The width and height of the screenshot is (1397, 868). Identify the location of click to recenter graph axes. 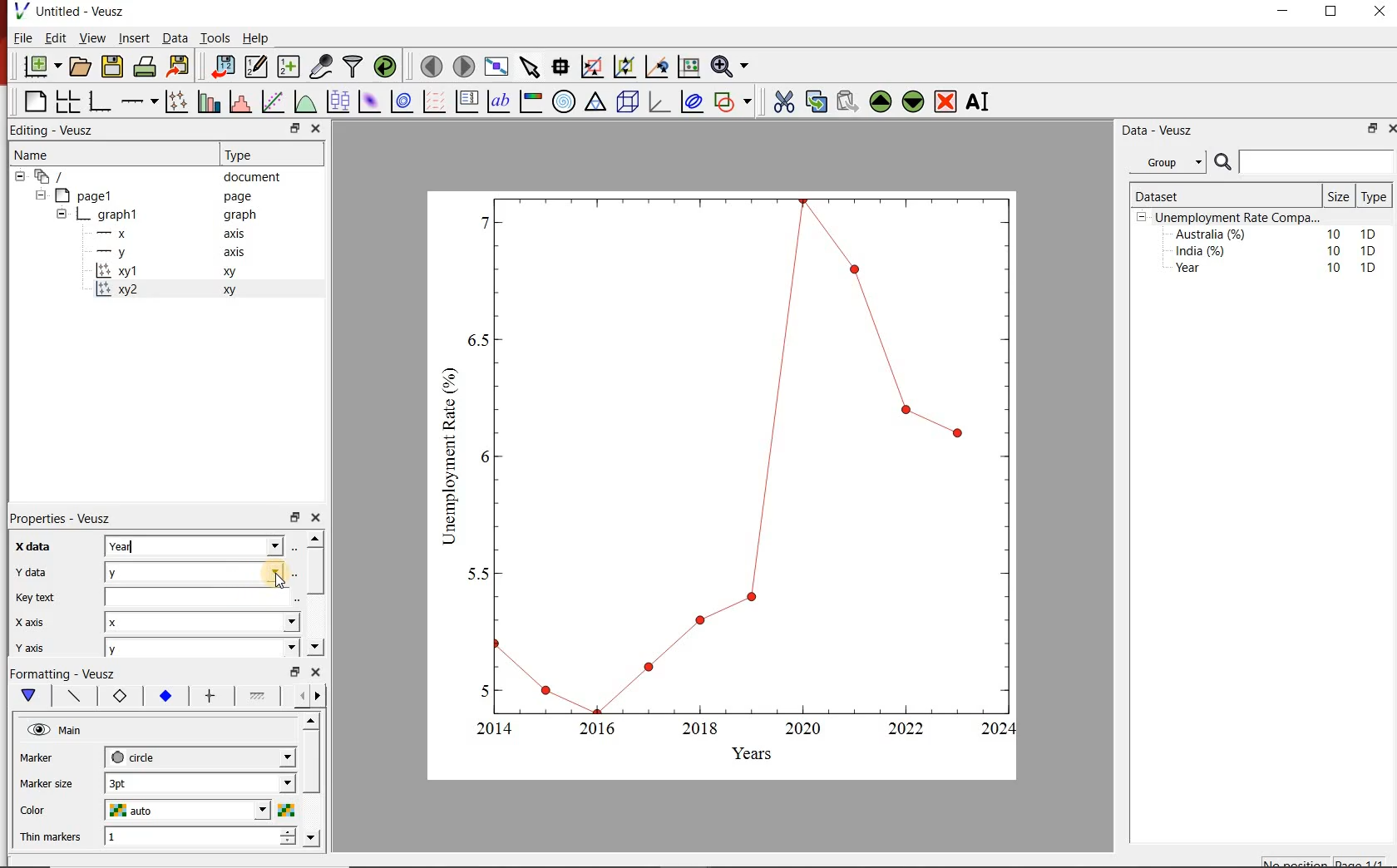
(658, 66).